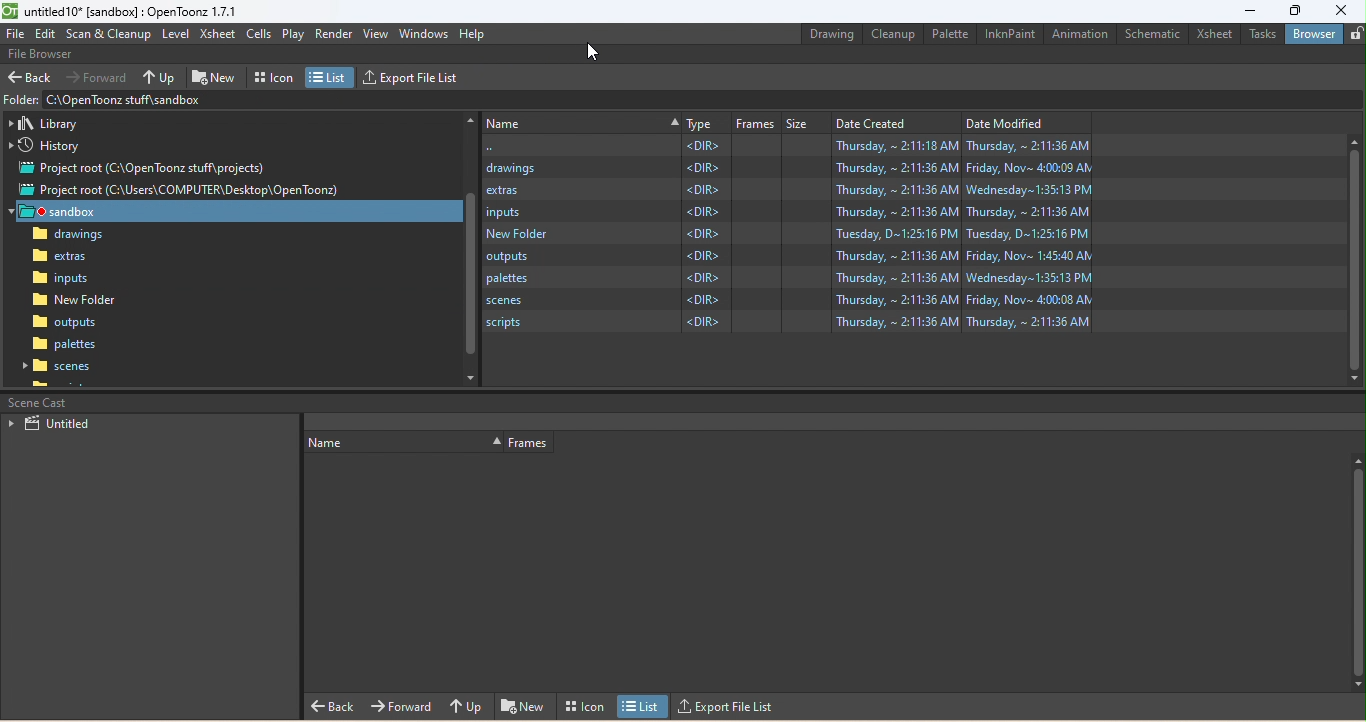 The width and height of the screenshot is (1366, 722). I want to click on list , so click(645, 707).